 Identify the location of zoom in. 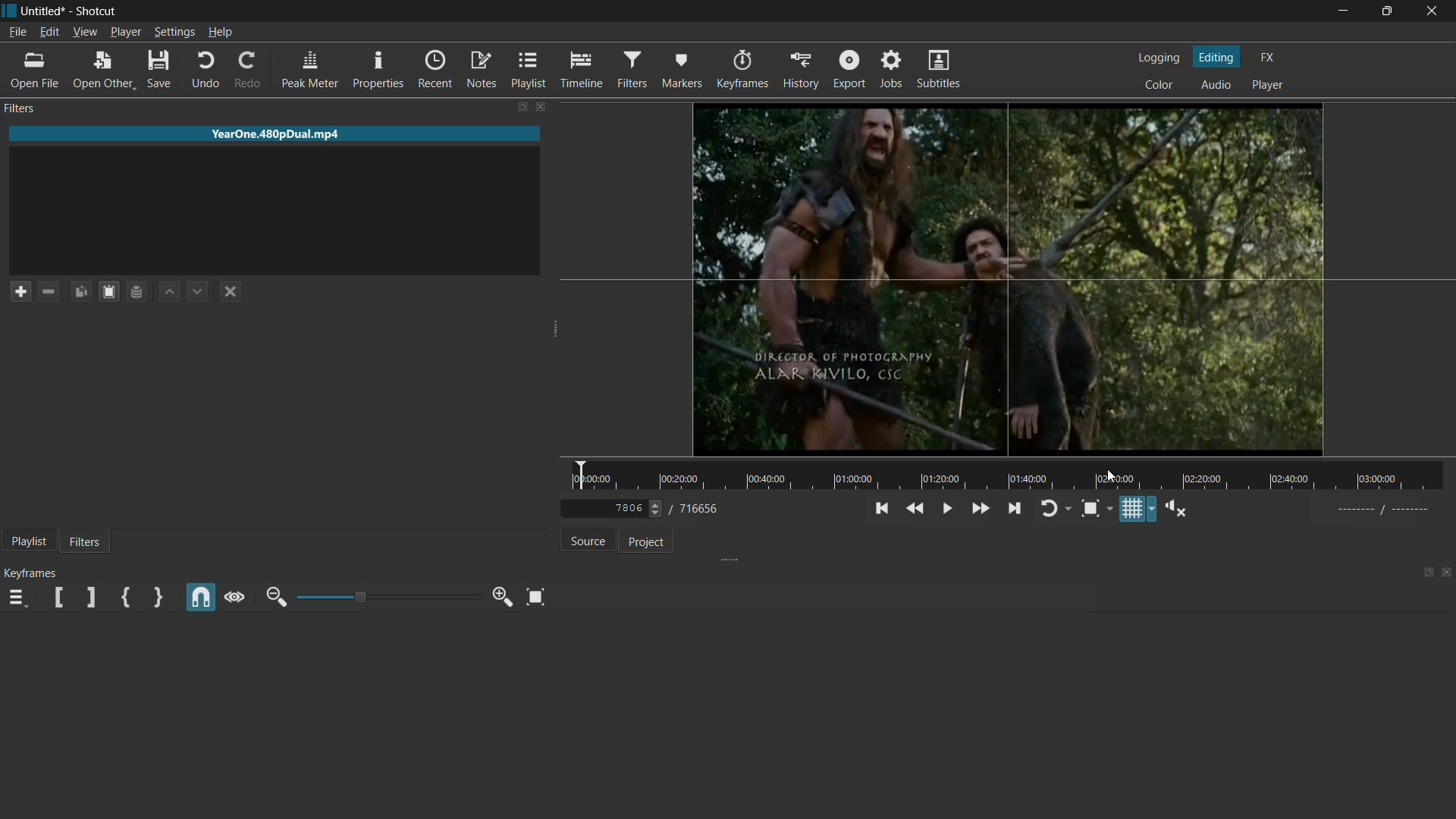
(500, 597).